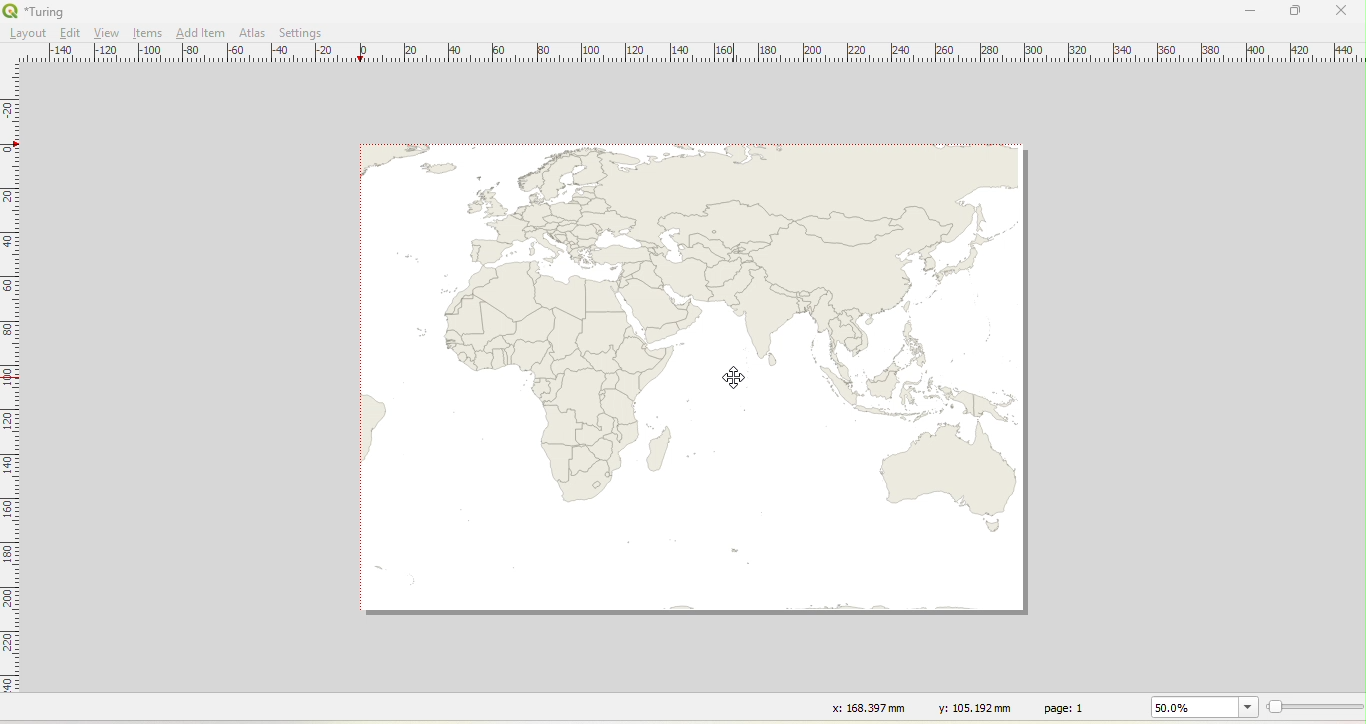  I want to click on page: 1, so click(1067, 707).